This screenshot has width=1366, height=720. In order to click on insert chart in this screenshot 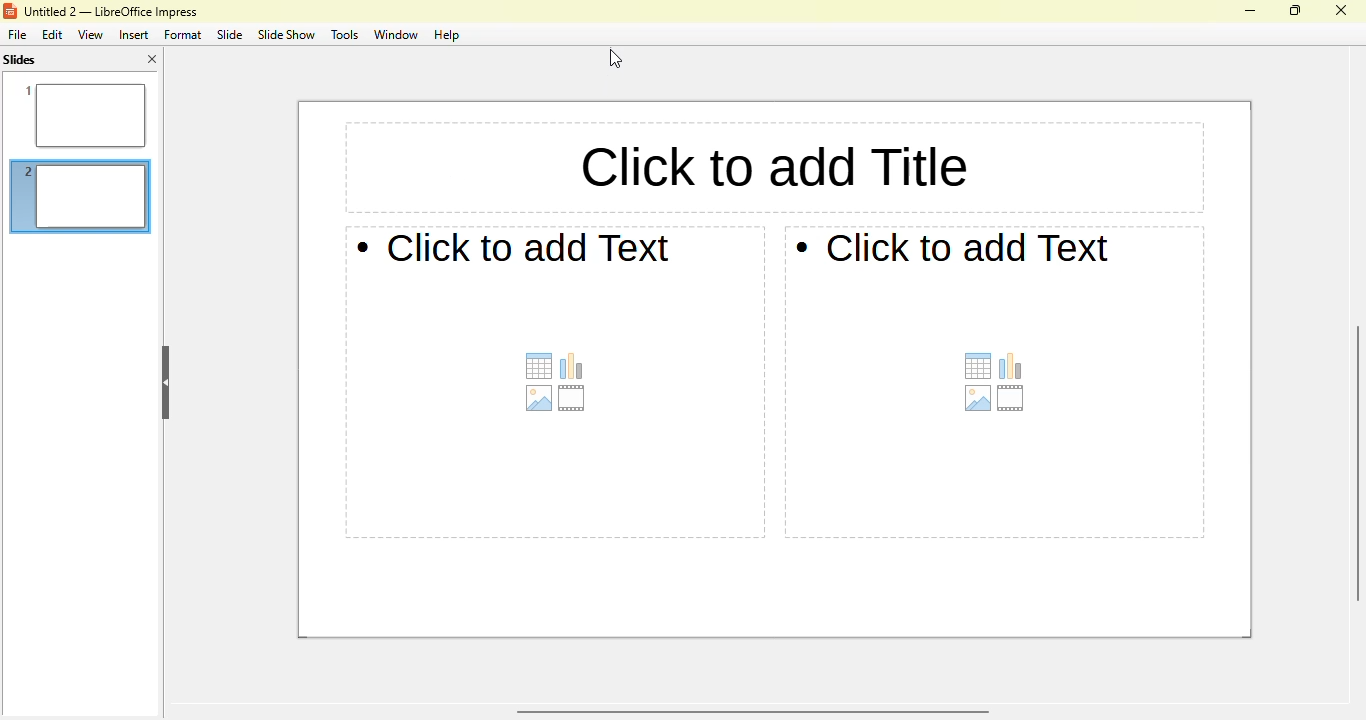, I will do `click(1010, 366)`.